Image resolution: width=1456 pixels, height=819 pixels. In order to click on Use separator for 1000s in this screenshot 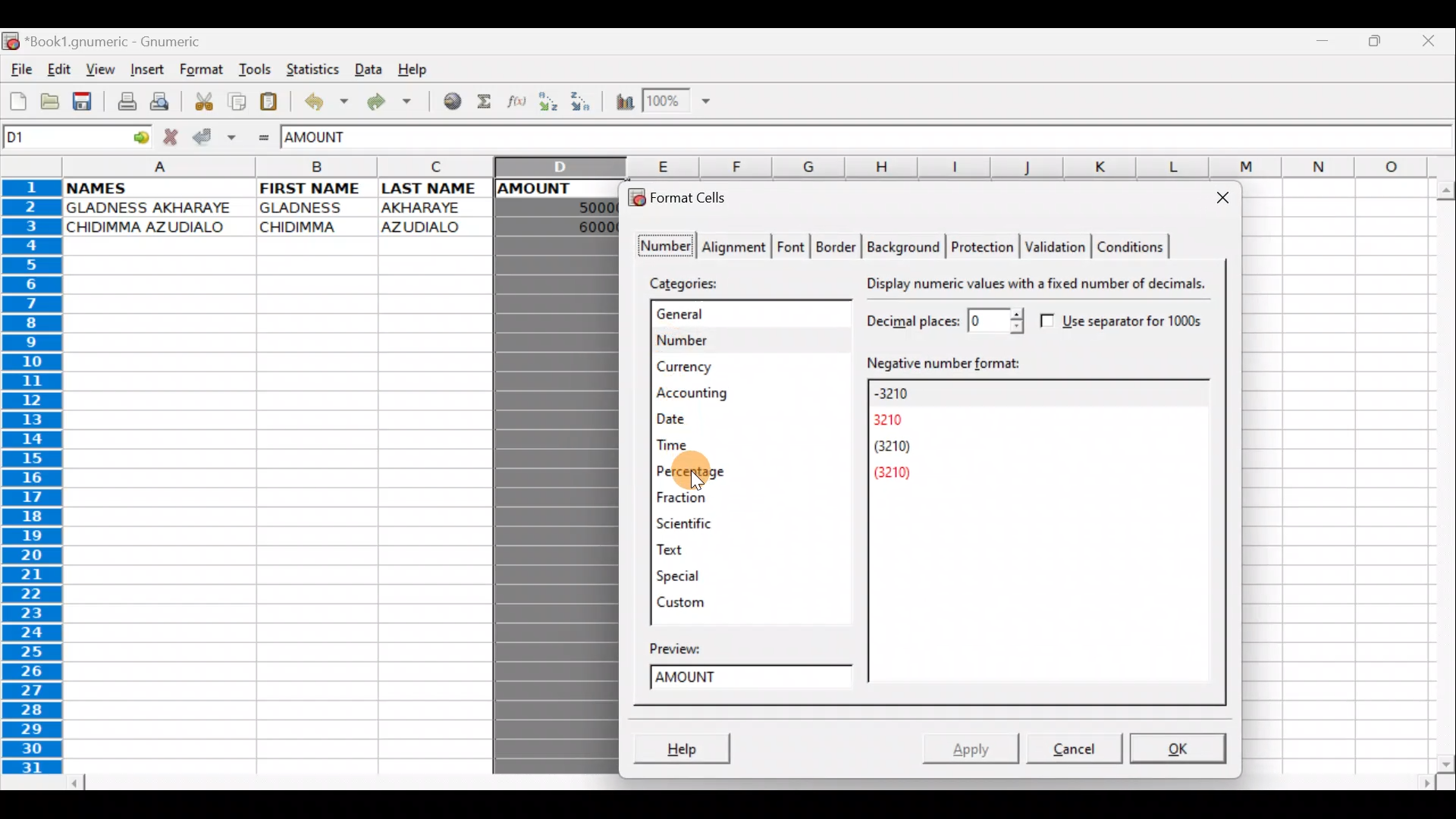, I will do `click(1127, 322)`.